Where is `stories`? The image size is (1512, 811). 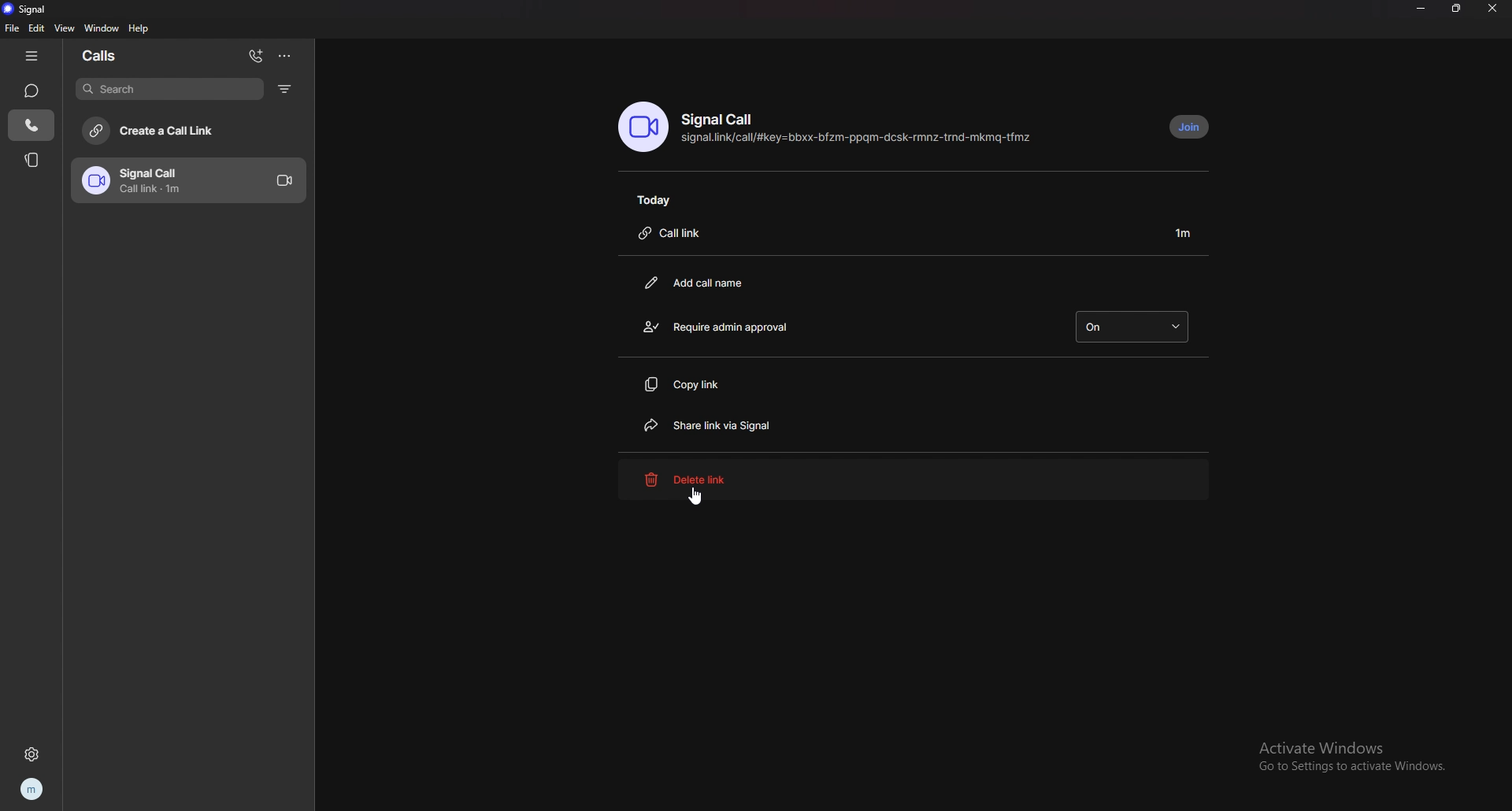 stories is located at coordinates (32, 160).